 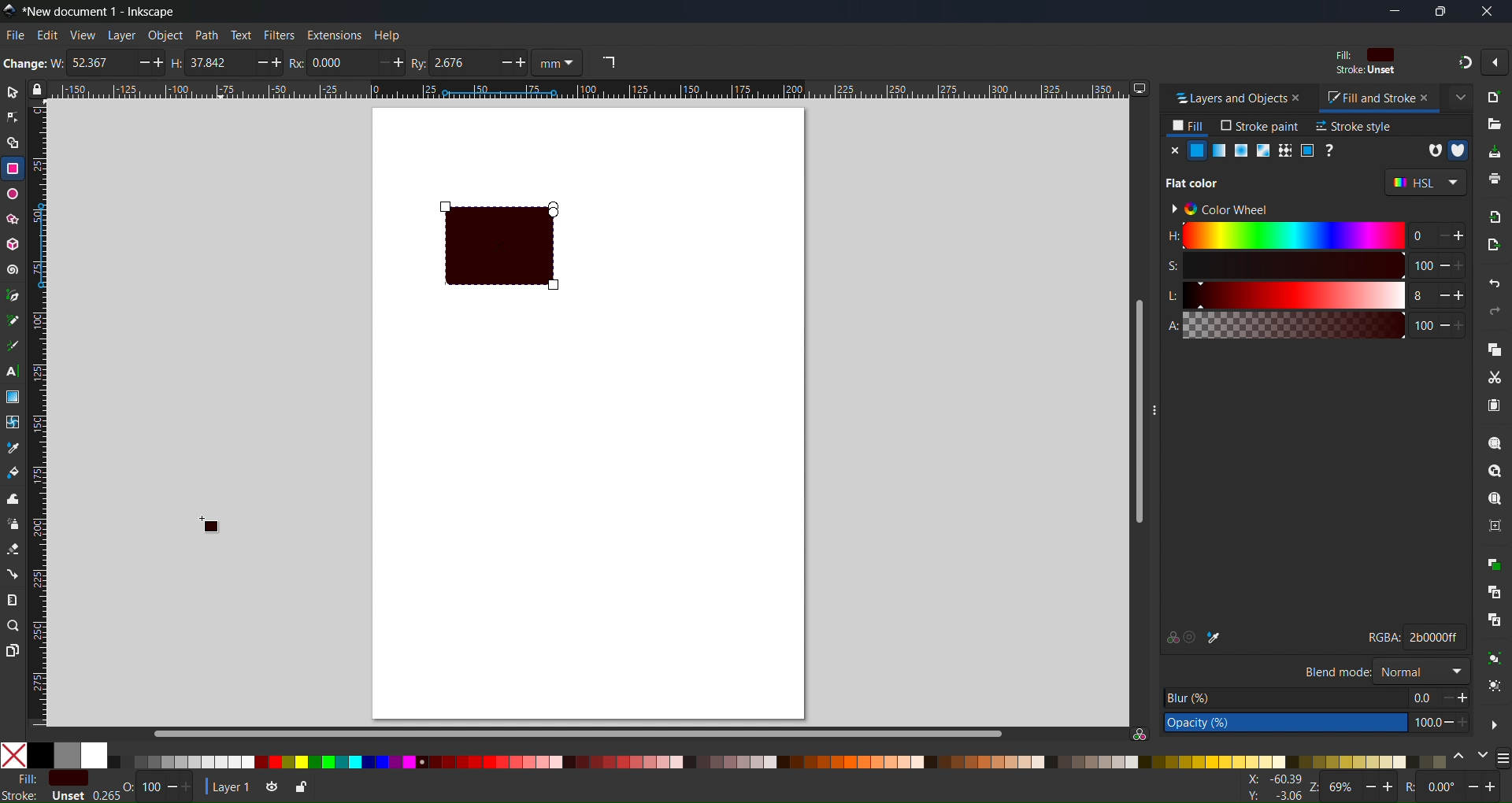 I want to click on Vertical Drag window, so click(x=1162, y=403).